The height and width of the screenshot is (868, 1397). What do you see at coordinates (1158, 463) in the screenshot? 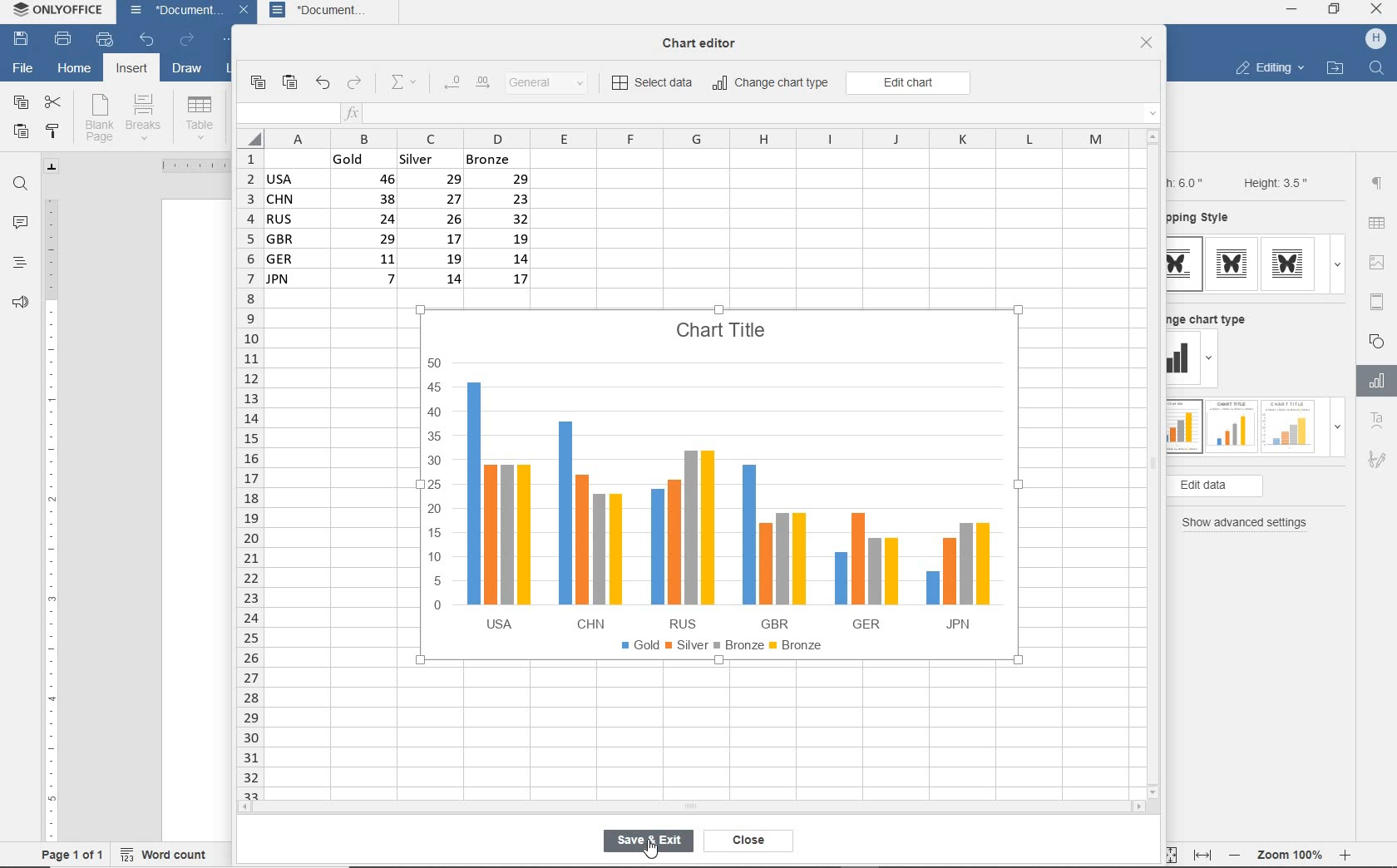
I see `vertical scroll bar` at bounding box center [1158, 463].